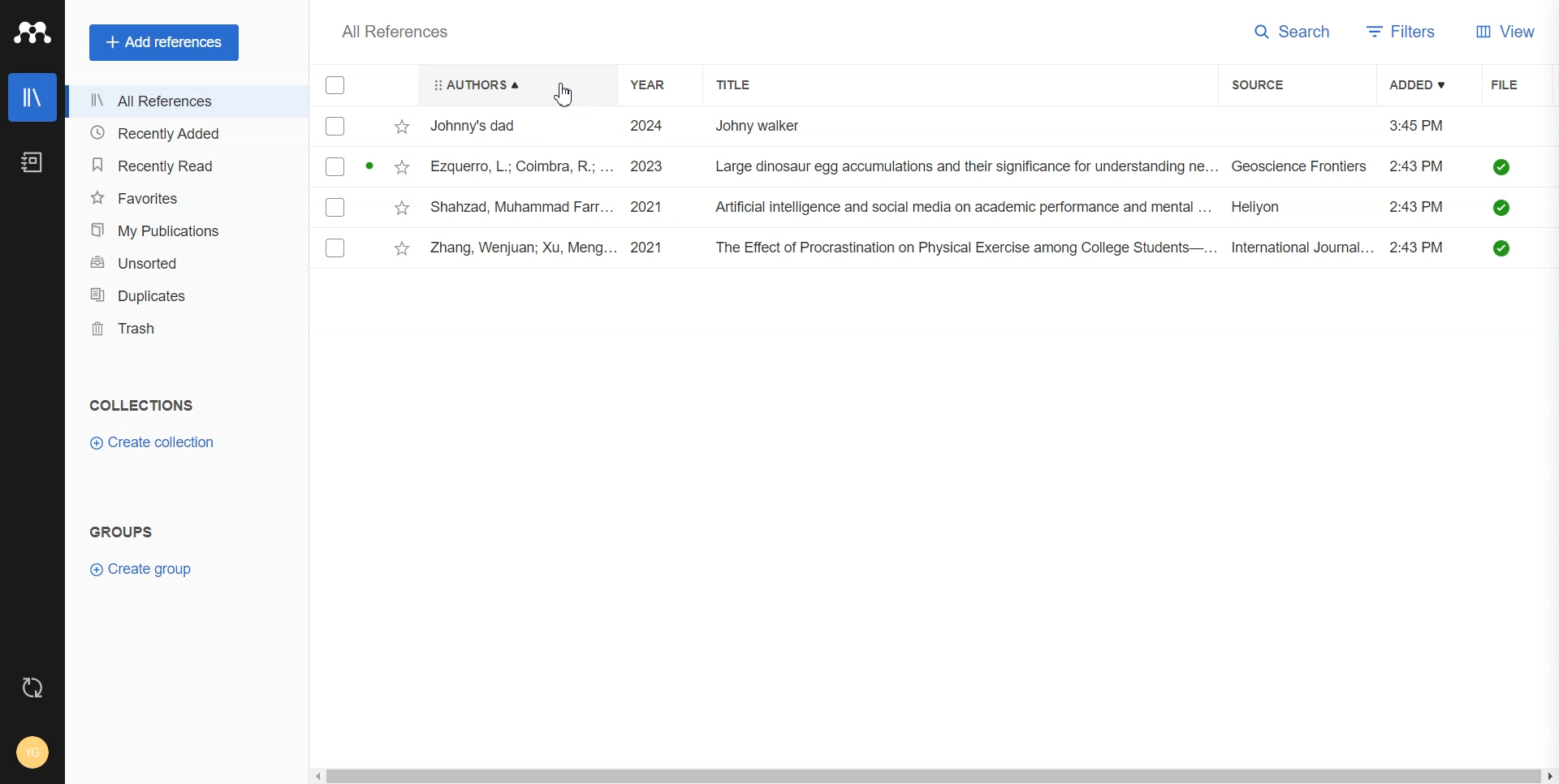 The height and width of the screenshot is (784, 1559). I want to click on (un)select, so click(335, 127).